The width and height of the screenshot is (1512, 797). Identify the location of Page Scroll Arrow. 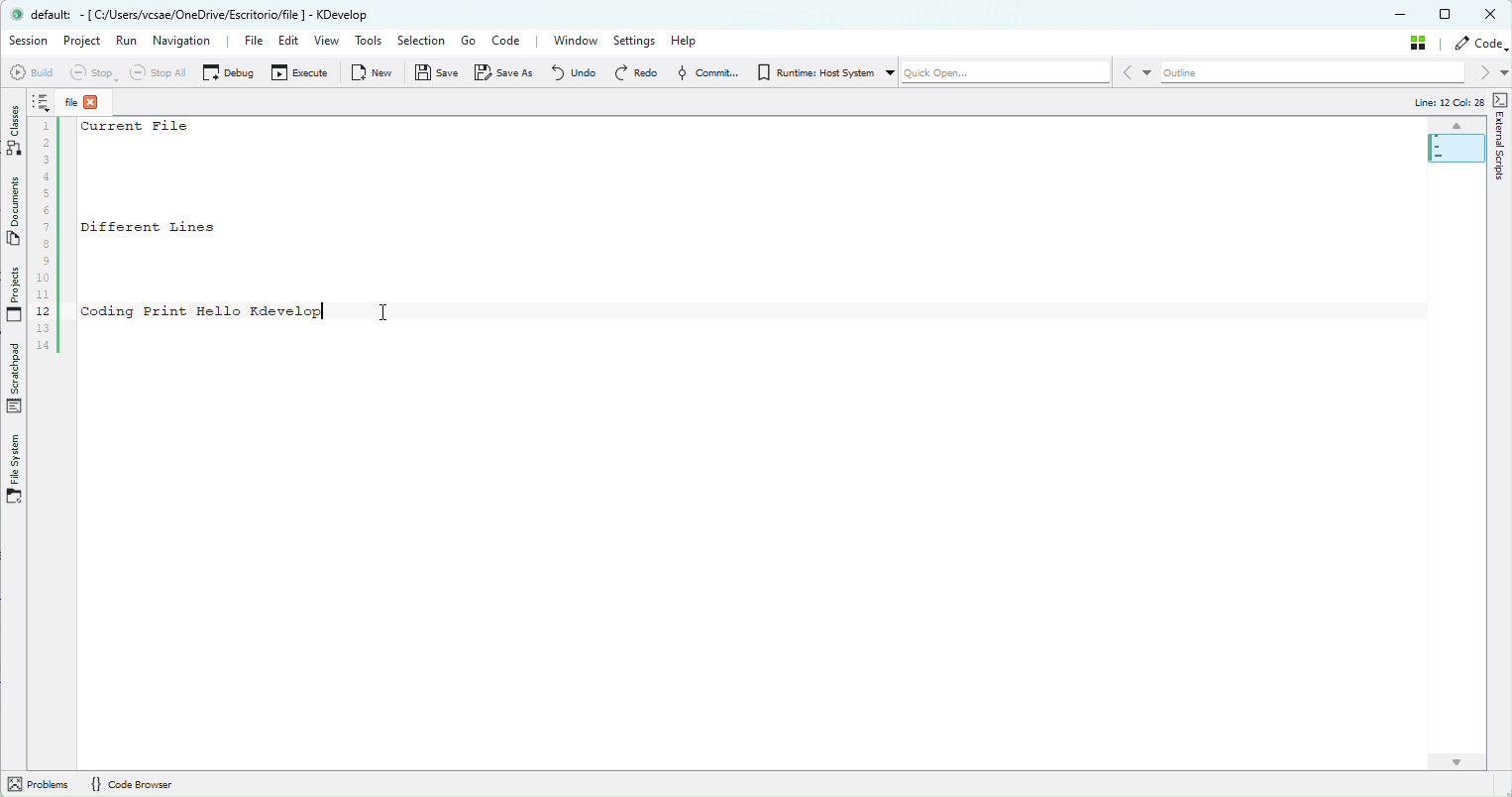
(1454, 756).